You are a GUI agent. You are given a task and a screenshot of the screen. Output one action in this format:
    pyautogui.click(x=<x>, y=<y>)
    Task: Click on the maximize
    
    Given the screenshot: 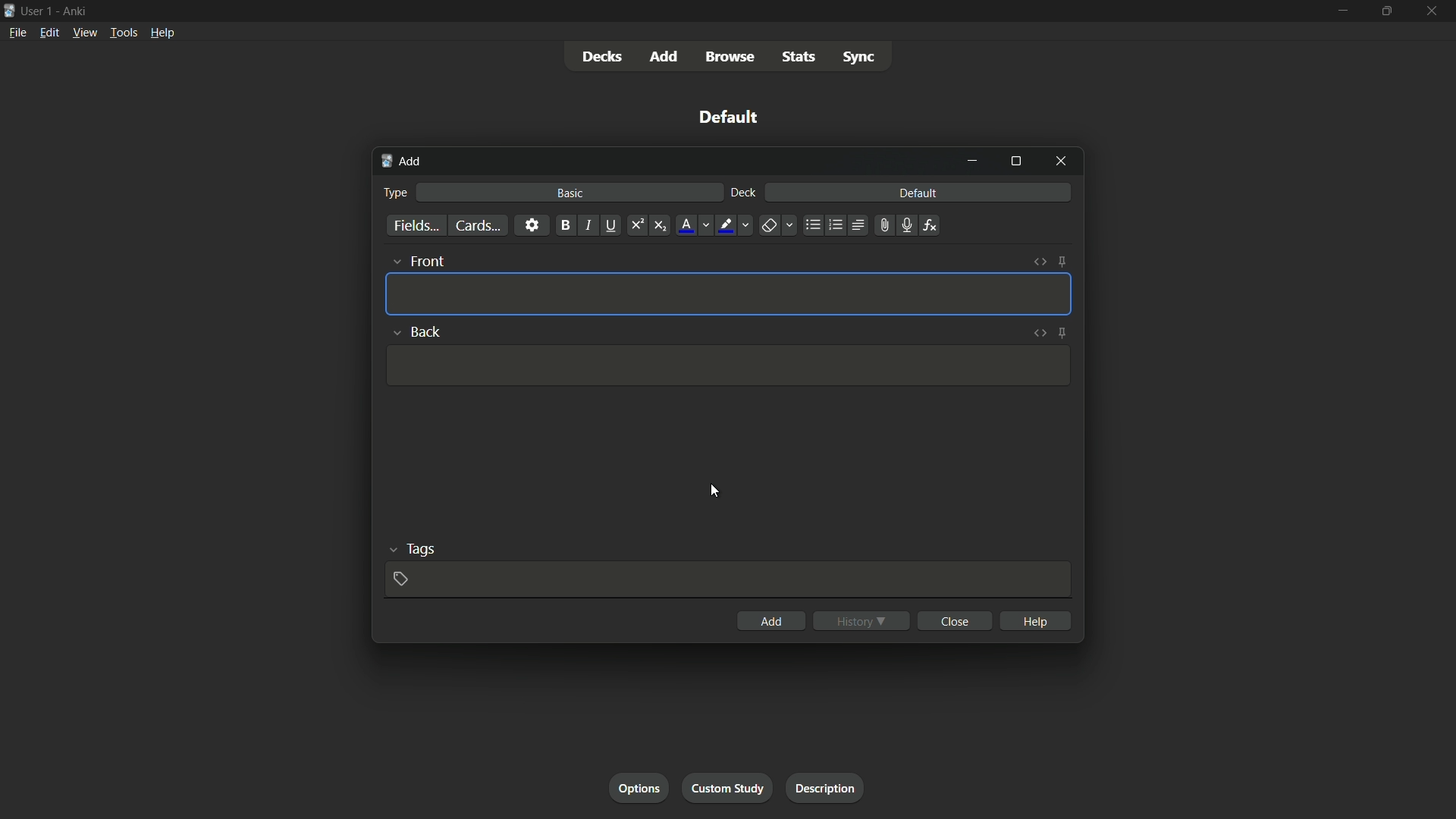 What is the action you would take?
    pyautogui.click(x=1015, y=162)
    